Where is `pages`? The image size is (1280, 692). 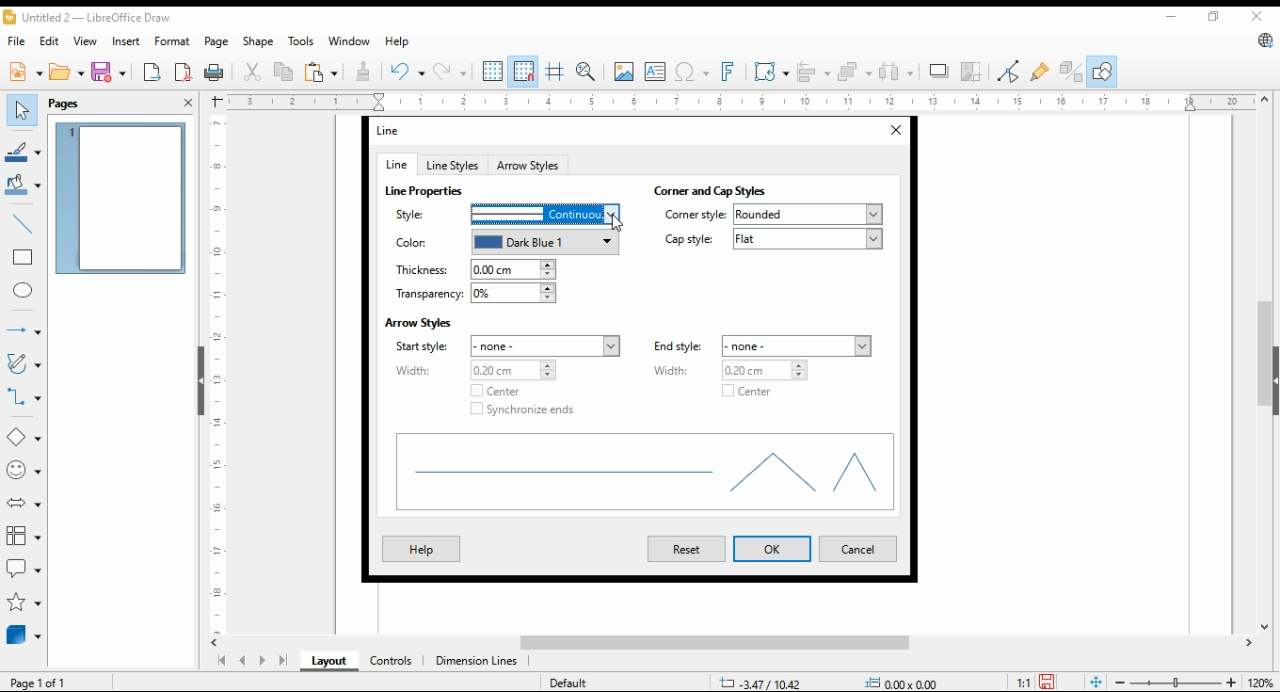 pages is located at coordinates (70, 102).